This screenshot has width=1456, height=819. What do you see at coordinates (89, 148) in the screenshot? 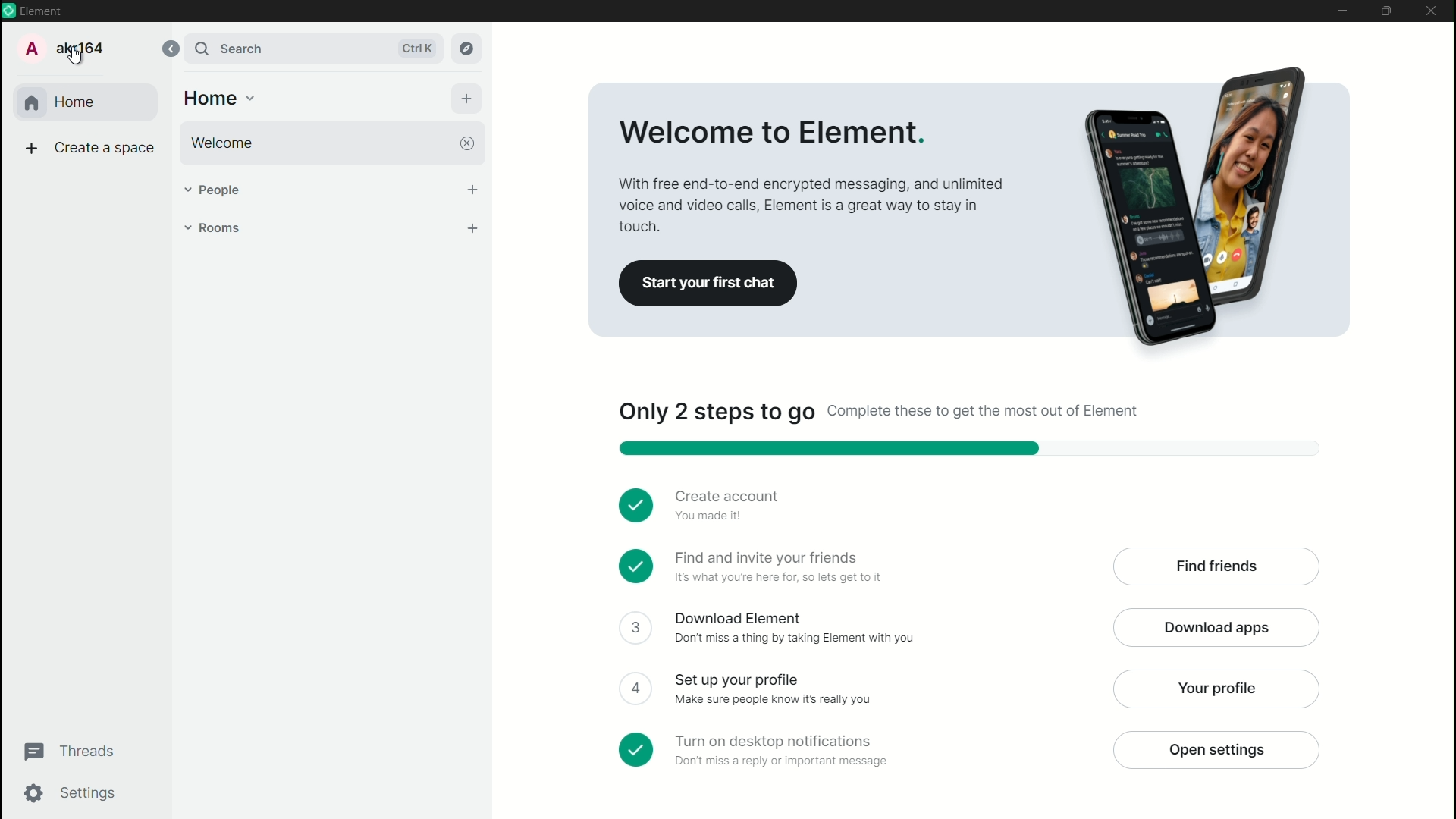
I see `create space` at bounding box center [89, 148].